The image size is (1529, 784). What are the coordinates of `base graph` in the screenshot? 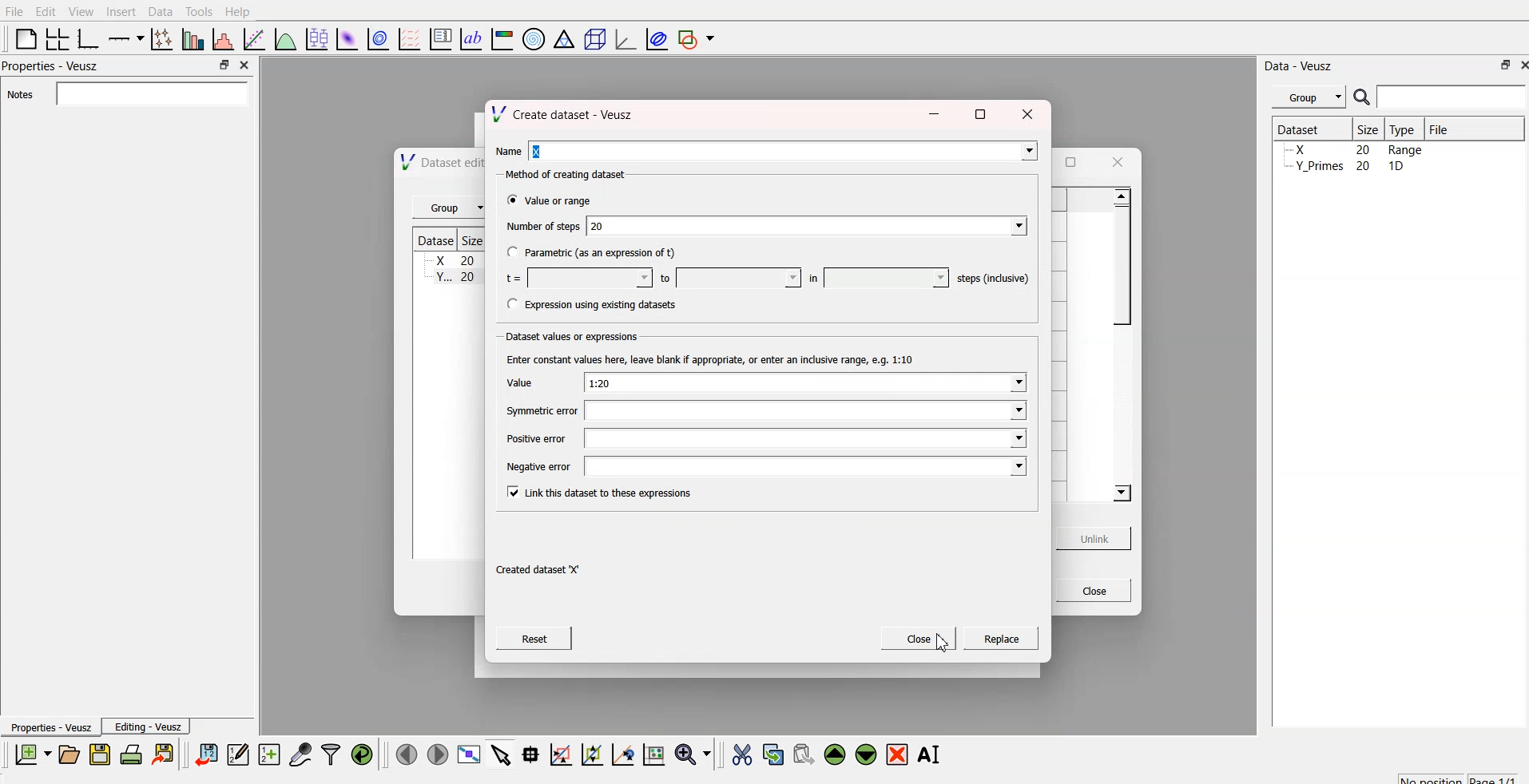 It's located at (85, 37).